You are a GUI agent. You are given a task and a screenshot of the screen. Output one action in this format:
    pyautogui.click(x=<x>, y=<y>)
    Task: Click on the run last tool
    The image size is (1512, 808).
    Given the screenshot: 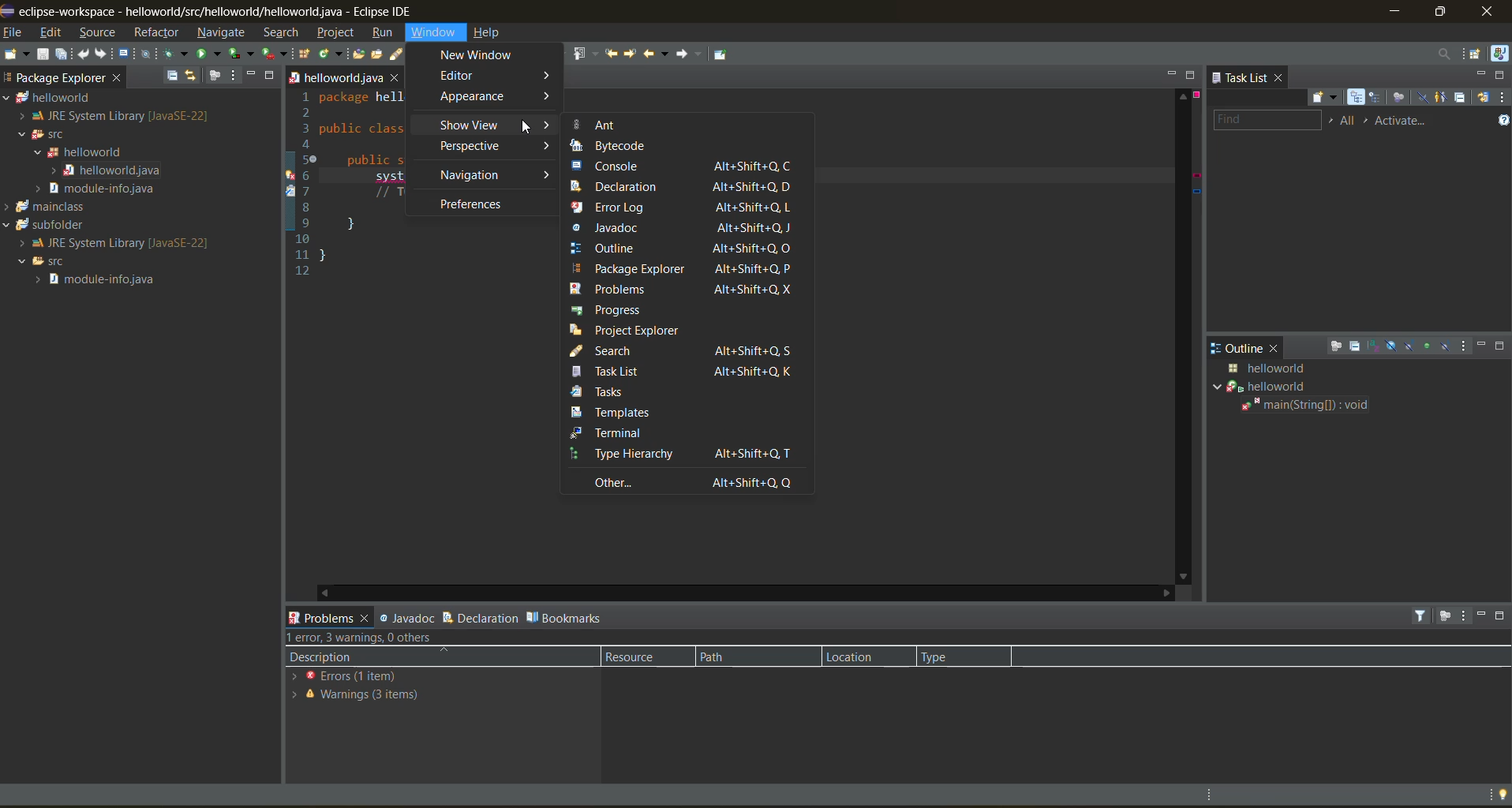 What is the action you would take?
    pyautogui.click(x=276, y=54)
    